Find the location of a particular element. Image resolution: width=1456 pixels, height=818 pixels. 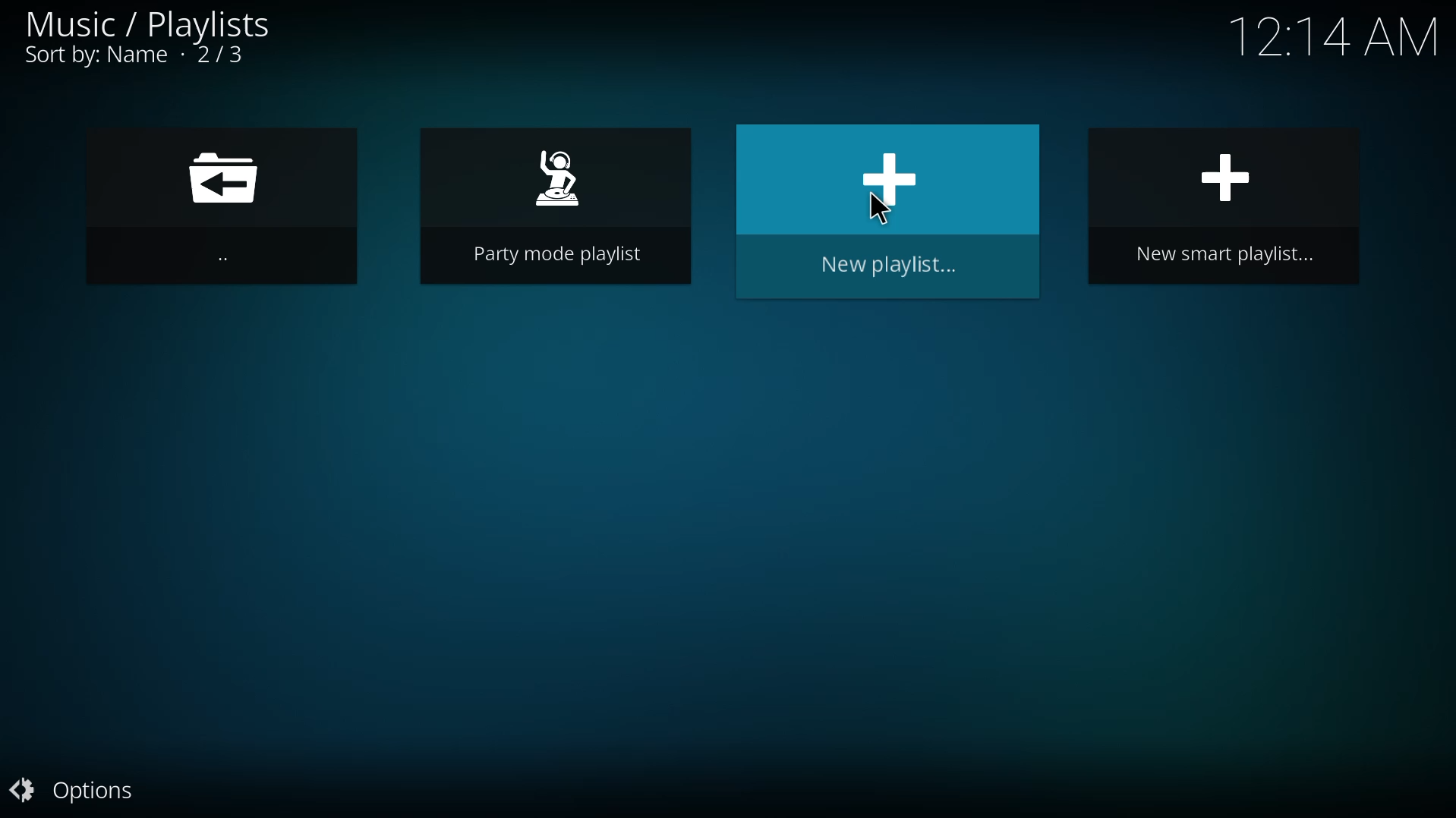

cursor is located at coordinates (881, 209).